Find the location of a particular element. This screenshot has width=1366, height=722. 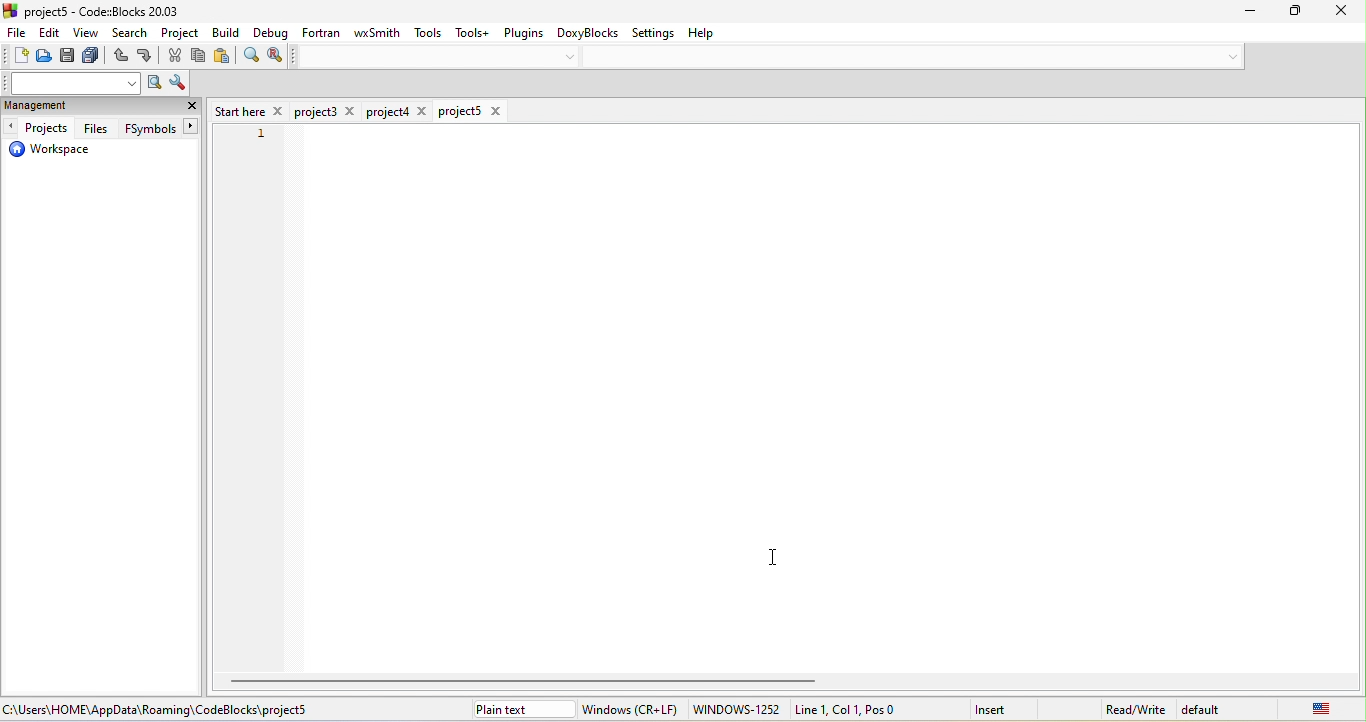

save is located at coordinates (70, 58).